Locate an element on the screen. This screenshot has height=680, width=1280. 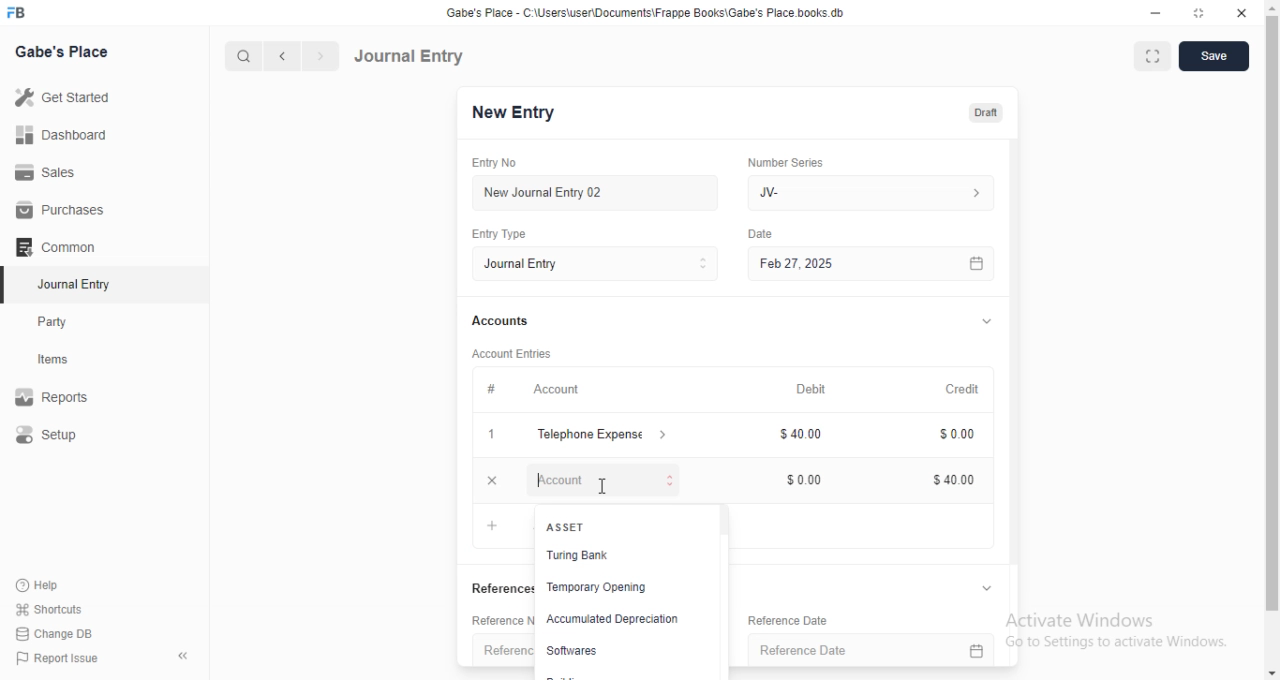
‘Gabe's Place - C Wsers\userDocuments\Frappe Books\Gabe's Place books db is located at coordinates (659, 11).